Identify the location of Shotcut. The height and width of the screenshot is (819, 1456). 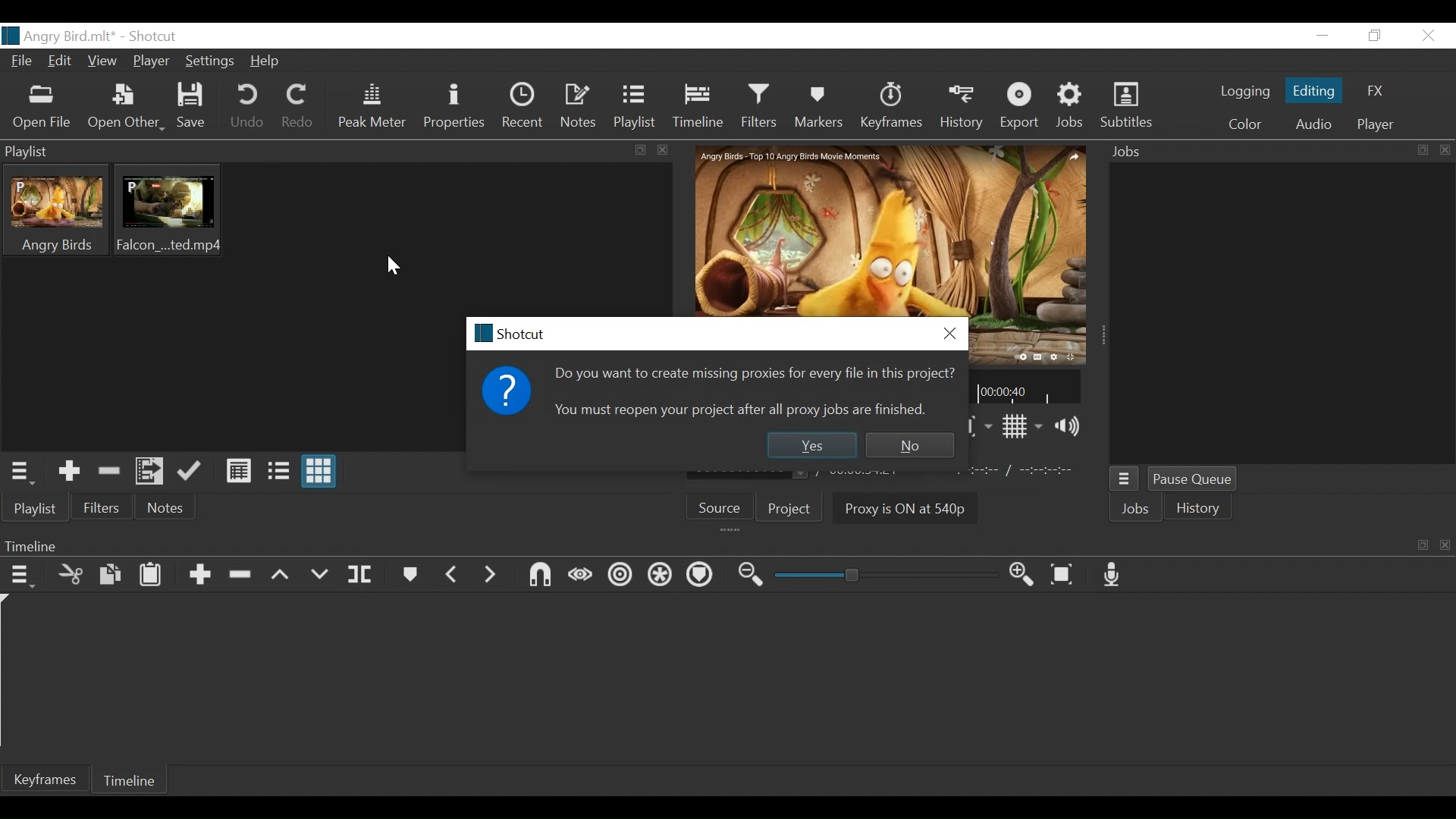
(156, 38).